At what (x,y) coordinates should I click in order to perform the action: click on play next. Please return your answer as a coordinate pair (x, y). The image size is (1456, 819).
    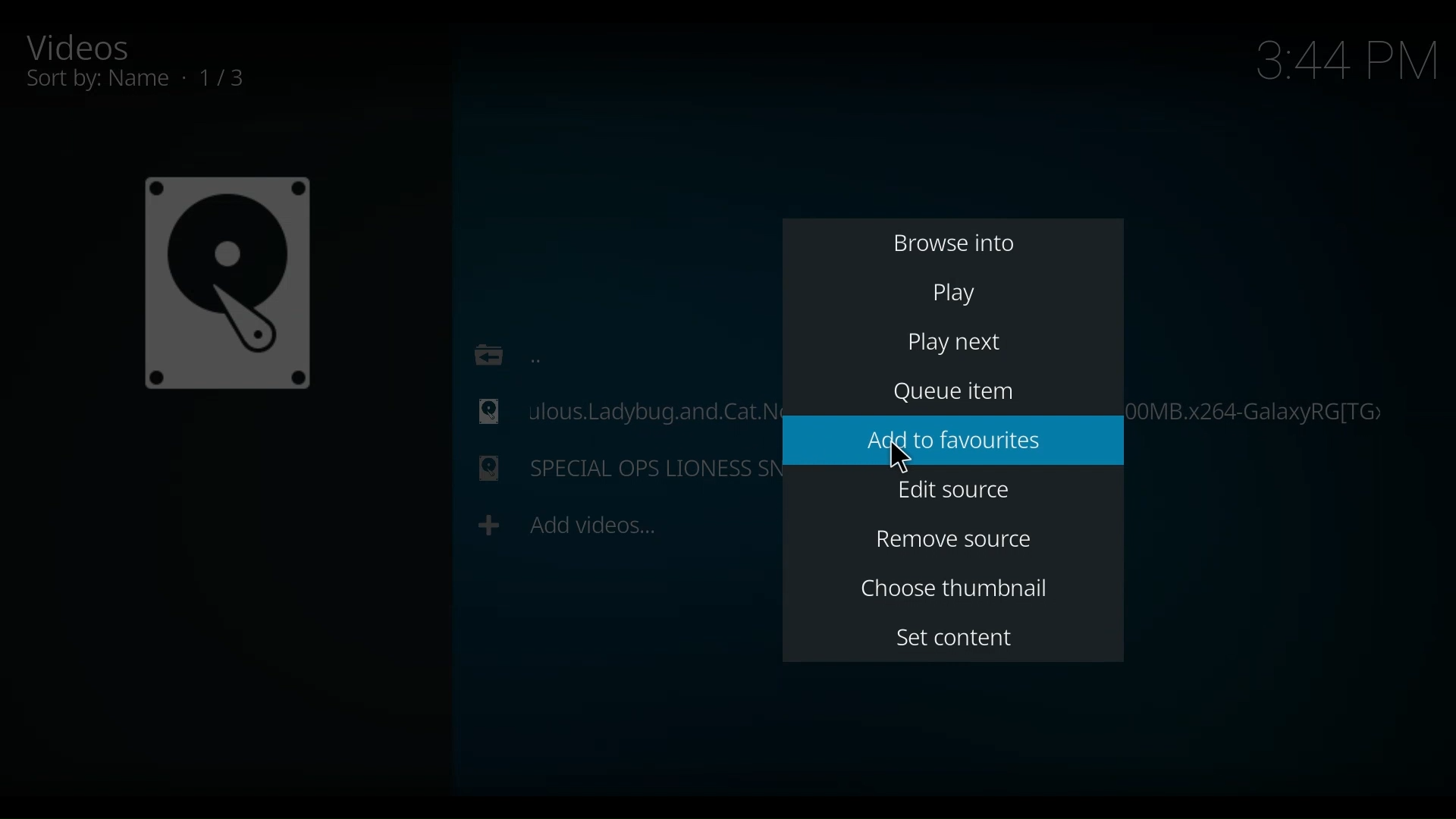
    Looking at the image, I should click on (955, 345).